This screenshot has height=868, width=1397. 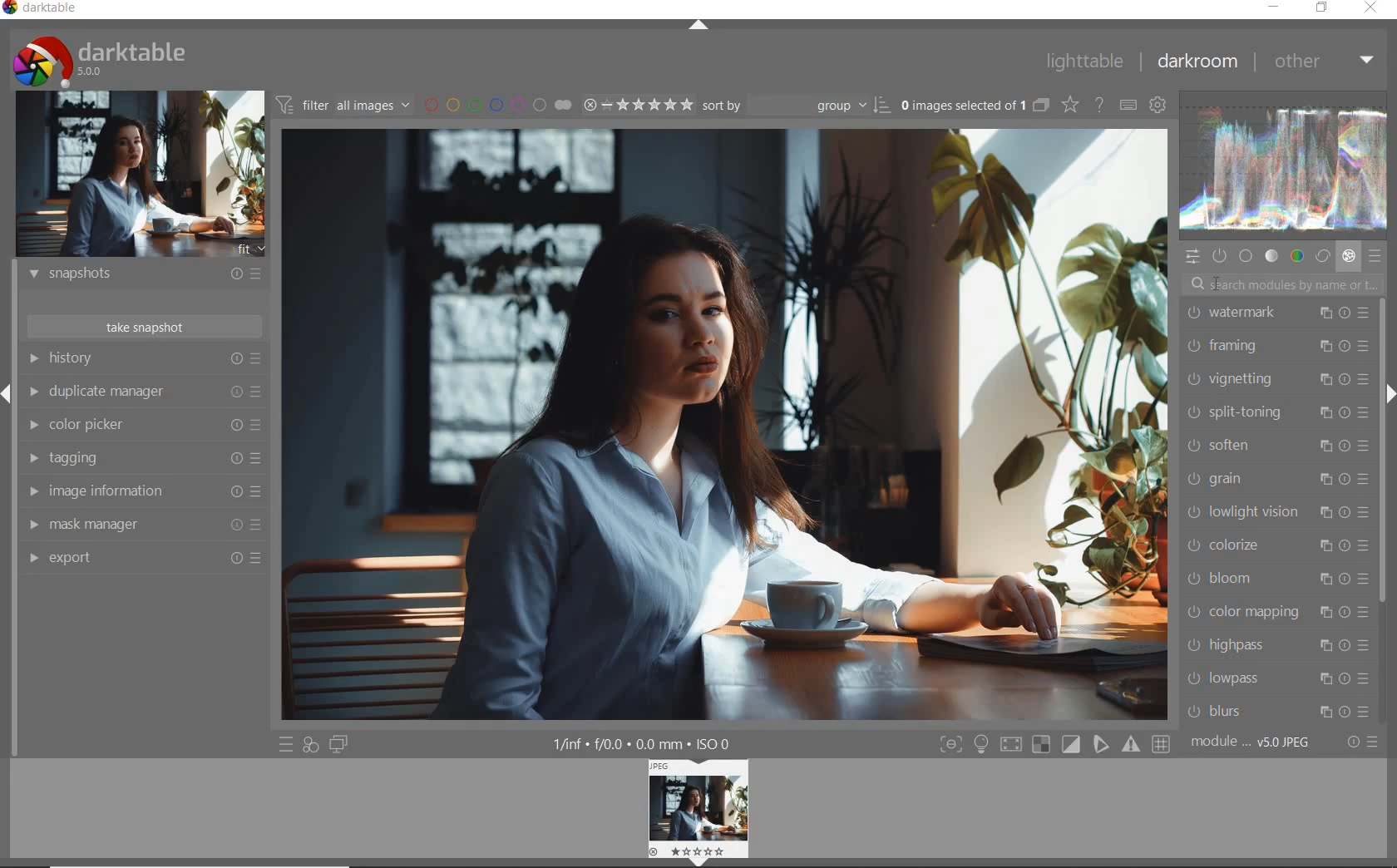 What do you see at coordinates (1069, 104) in the screenshot?
I see `change overlays shown on thumbnails` at bounding box center [1069, 104].